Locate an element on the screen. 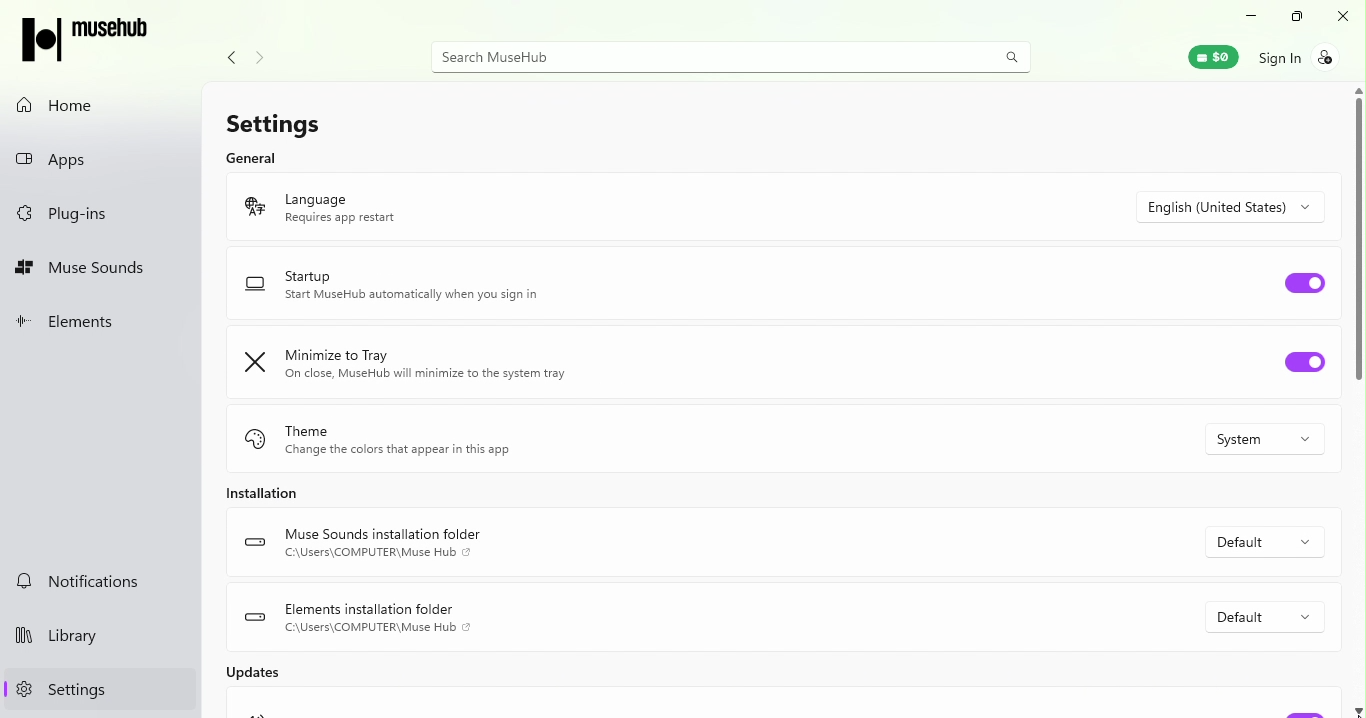 The image size is (1366, 718). Vertical scroll bar is located at coordinates (1358, 402).